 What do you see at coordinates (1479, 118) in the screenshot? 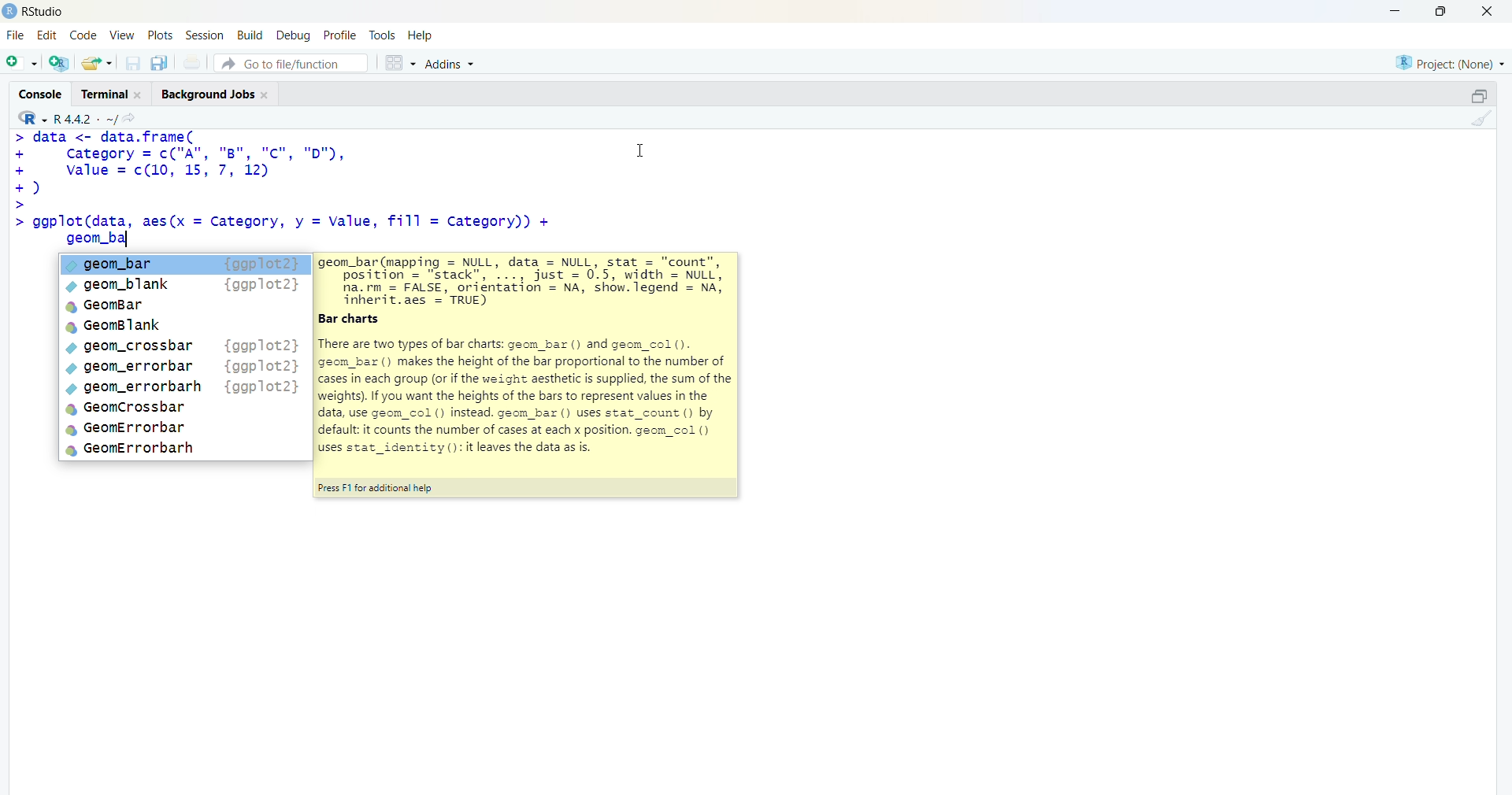
I see `clear console` at bounding box center [1479, 118].